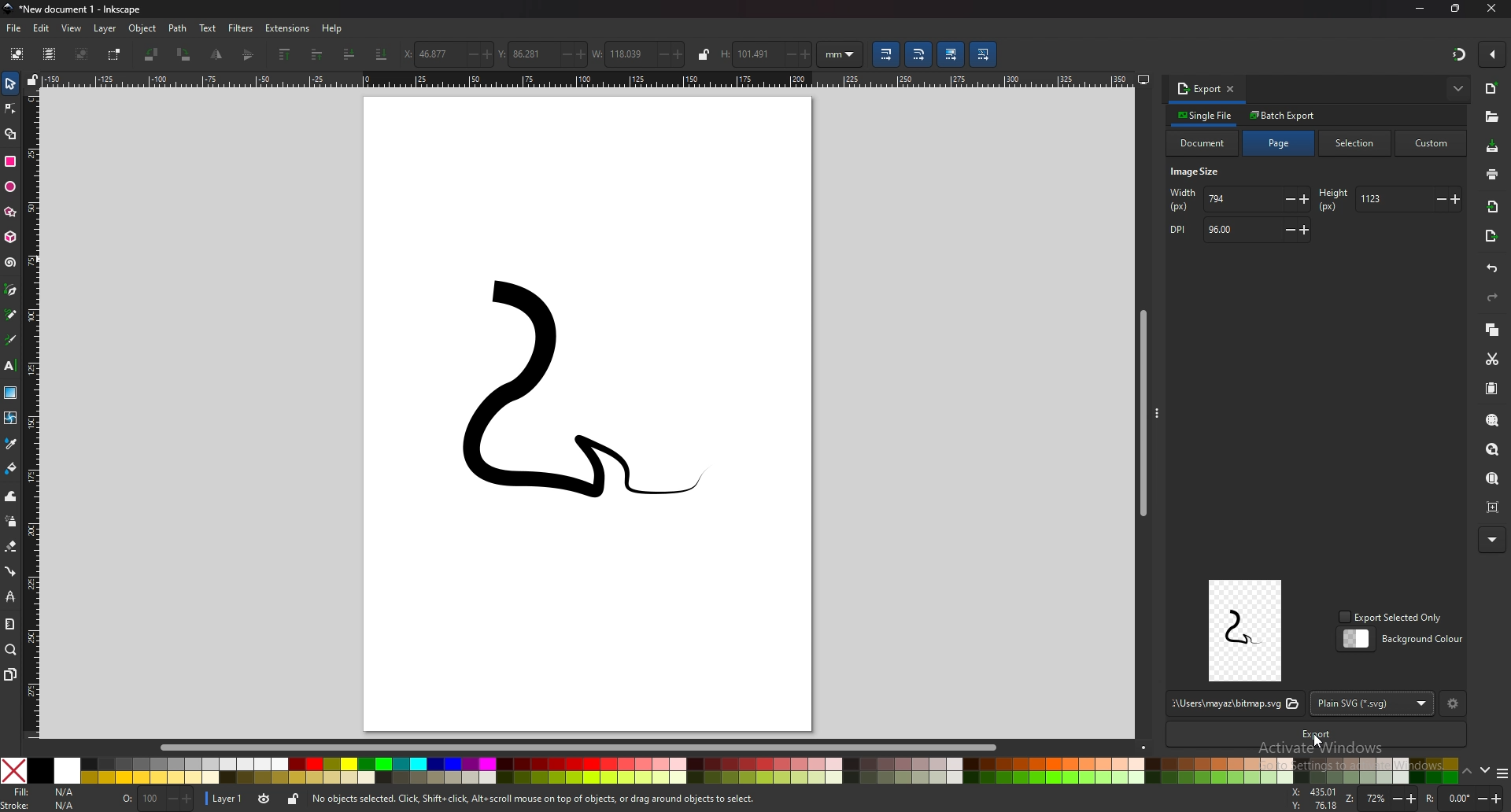  Describe the element at coordinates (920, 54) in the screenshot. I see `scale radii` at that location.